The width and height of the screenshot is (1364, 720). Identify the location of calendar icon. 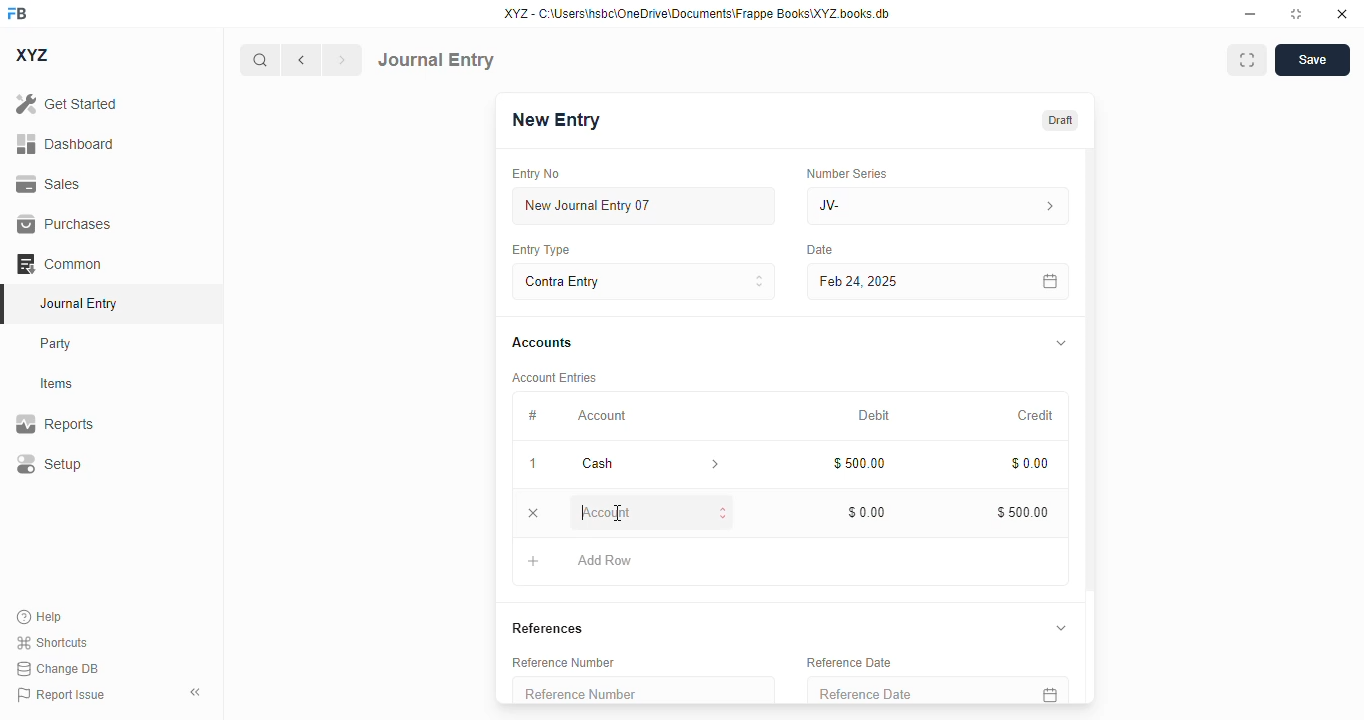
(1051, 281).